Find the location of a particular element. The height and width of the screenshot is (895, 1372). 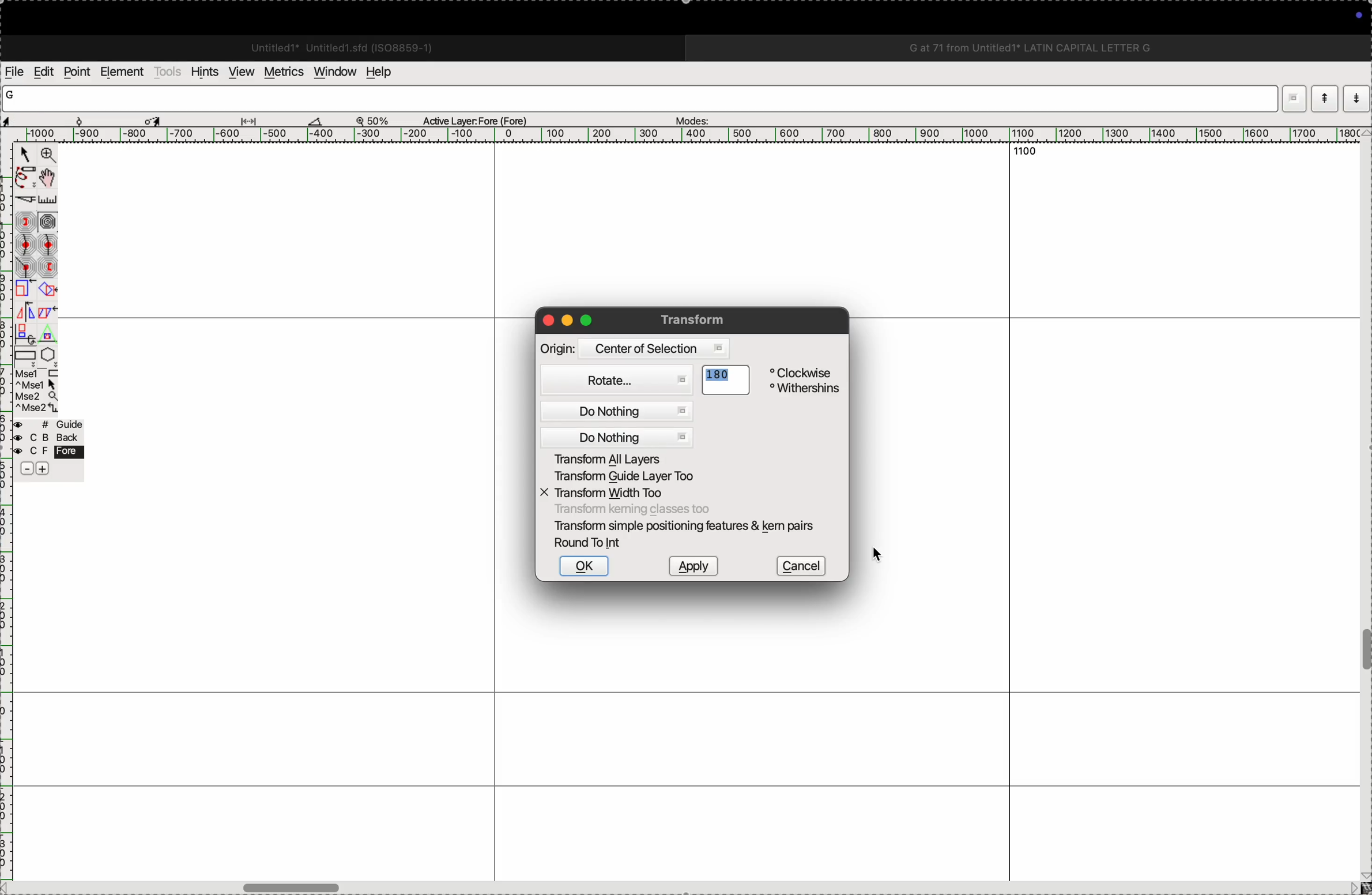

Active Layer: Fore (Fore) is located at coordinates (469, 121).